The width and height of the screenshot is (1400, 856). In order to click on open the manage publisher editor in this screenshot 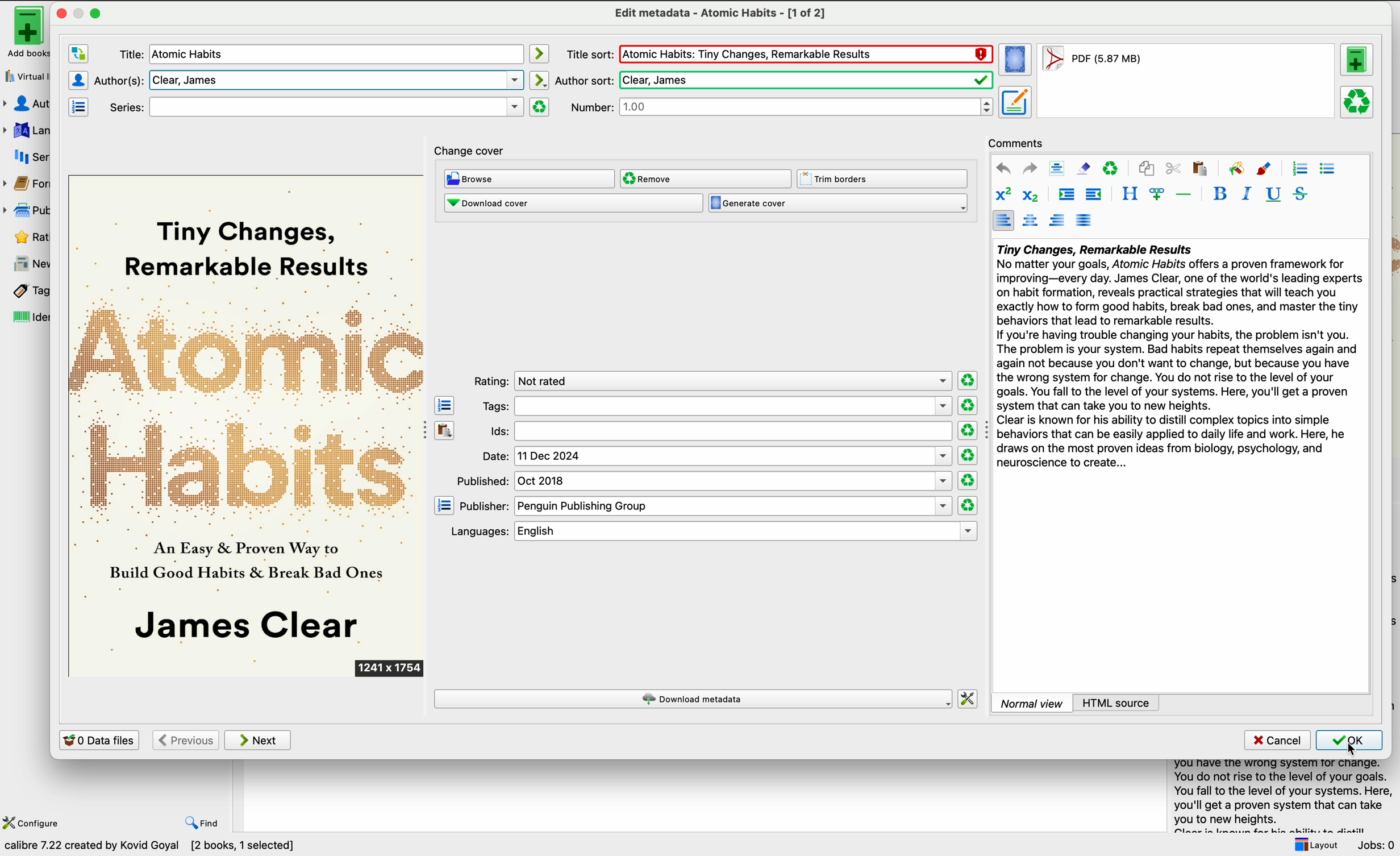, I will do `click(444, 505)`.